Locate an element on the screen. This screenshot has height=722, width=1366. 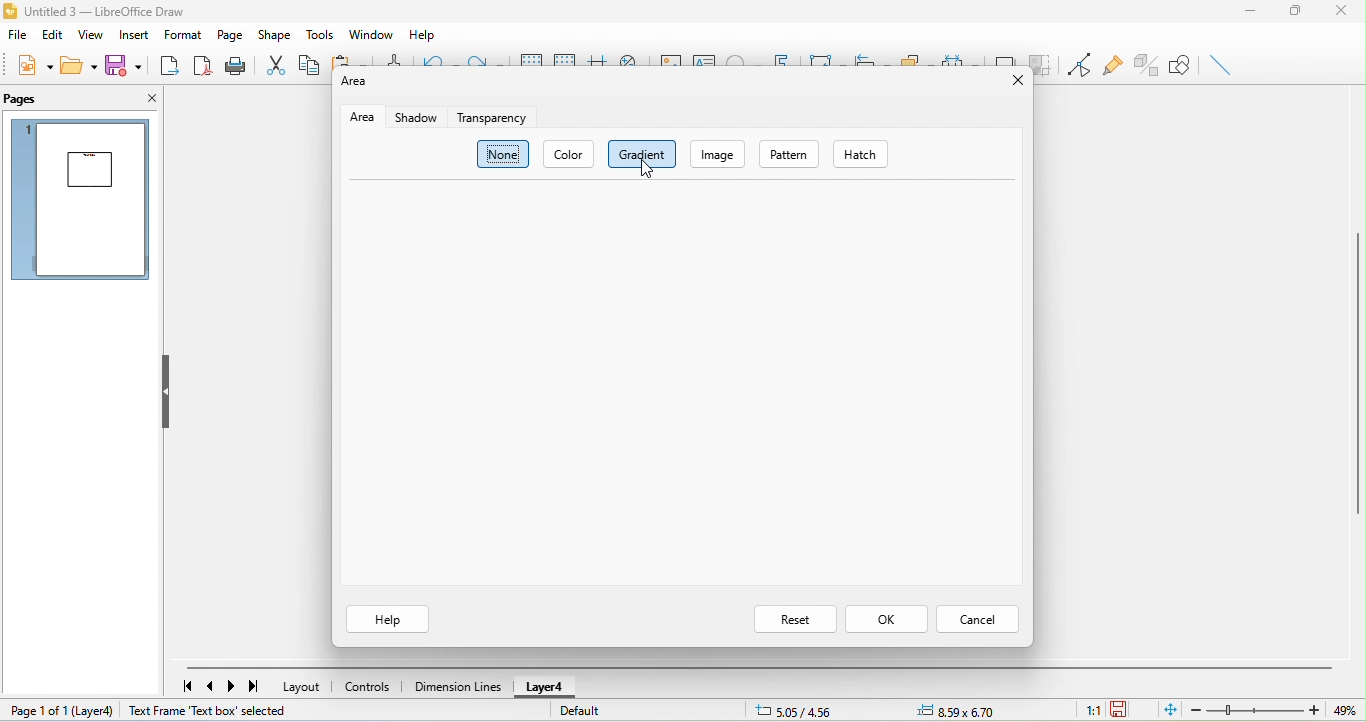
export is located at coordinates (170, 65).